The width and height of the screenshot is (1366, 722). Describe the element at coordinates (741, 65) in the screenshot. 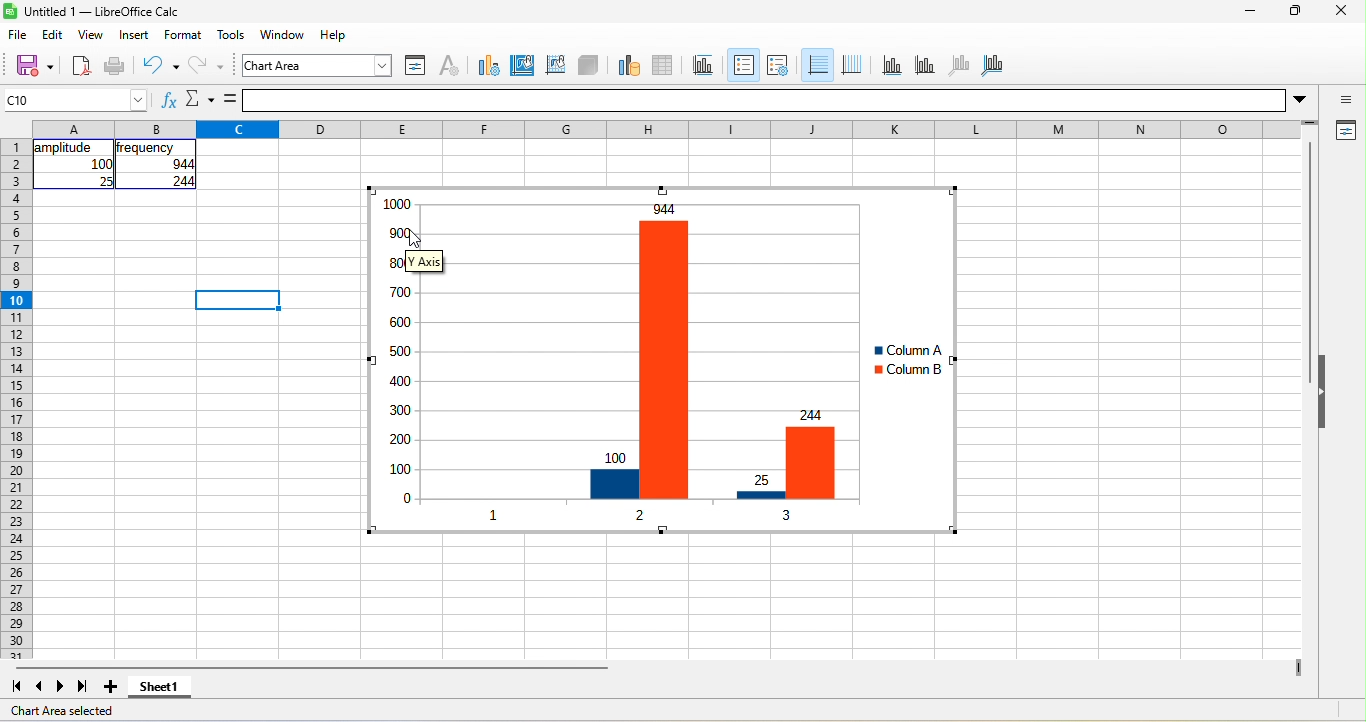

I see `legend on/off` at that location.